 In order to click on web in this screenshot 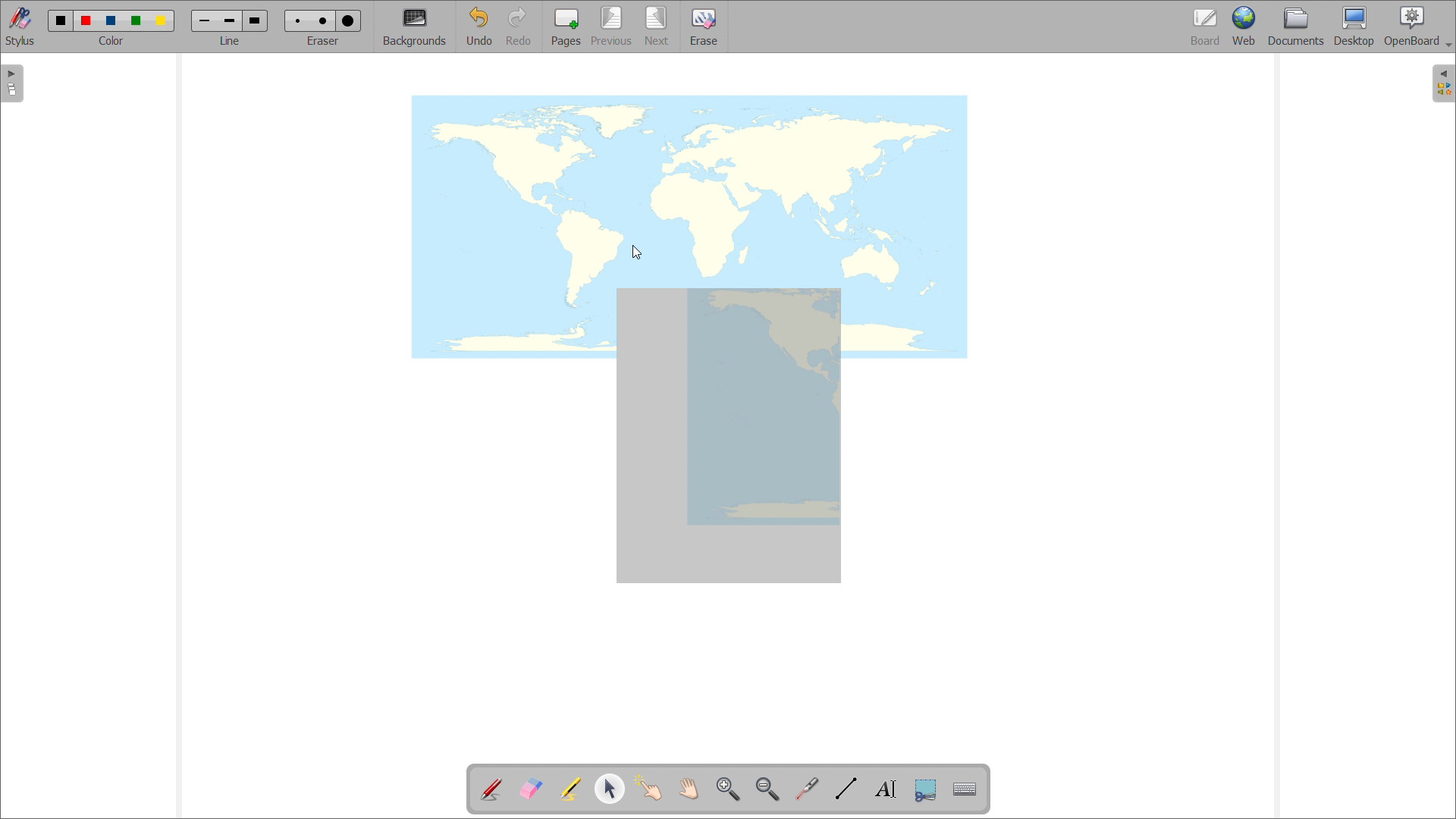, I will do `click(1245, 27)`.